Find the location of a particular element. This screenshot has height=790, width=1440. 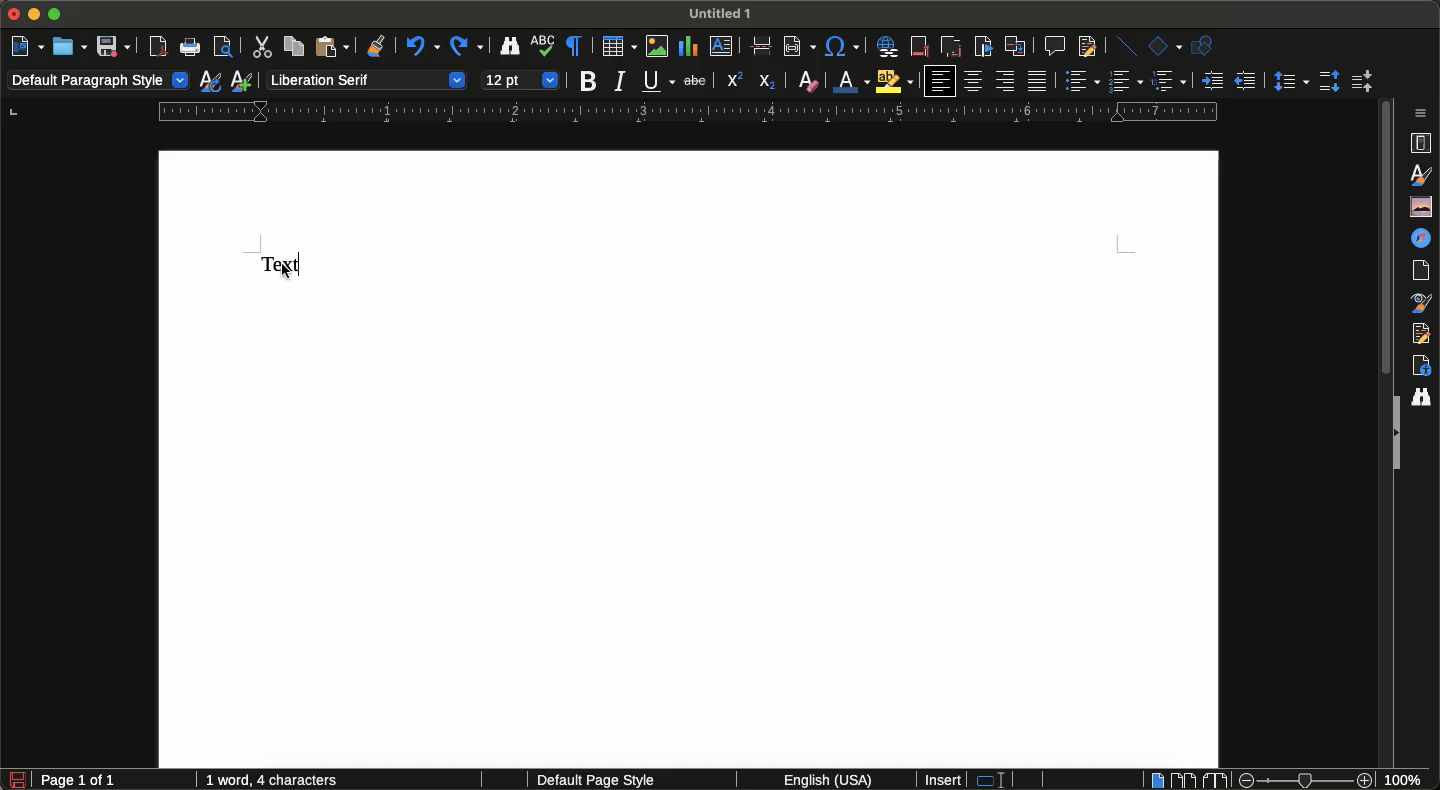

File name is located at coordinates (724, 12).